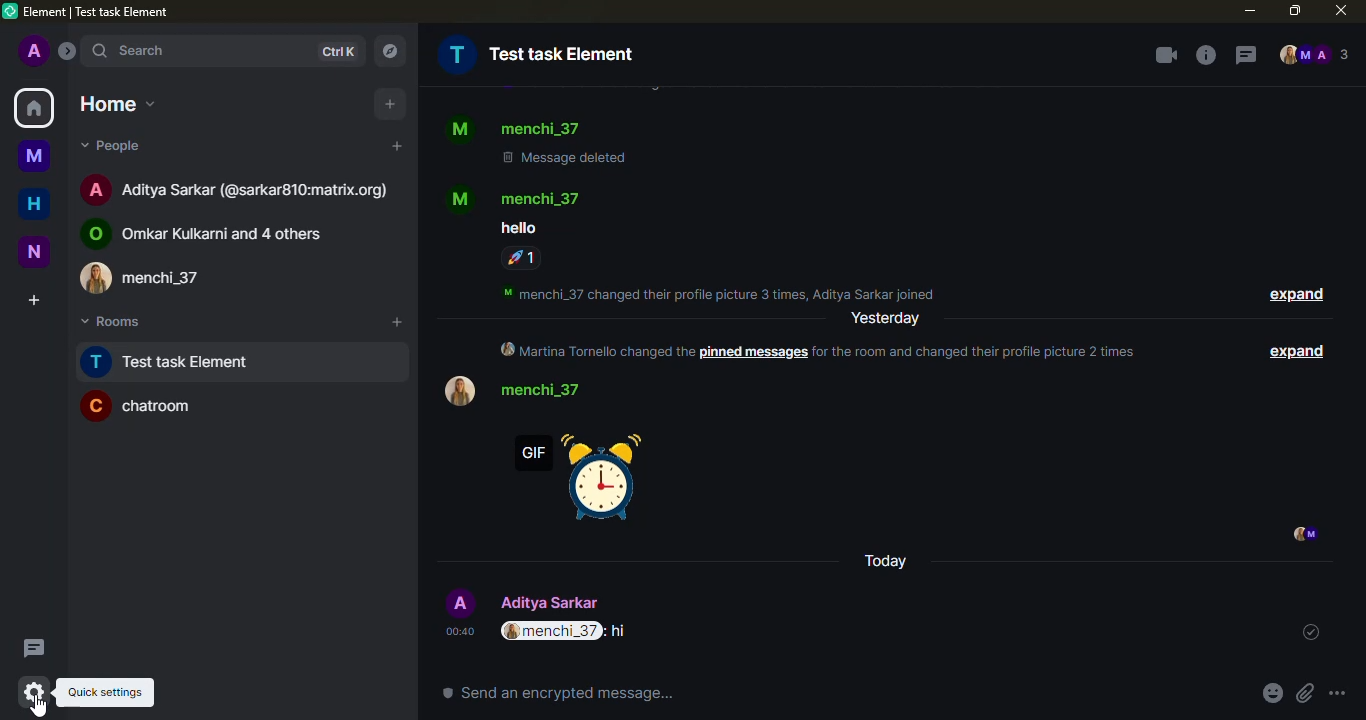 The width and height of the screenshot is (1366, 720). What do you see at coordinates (1302, 536) in the screenshot?
I see `seen` at bounding box center [1302, 536].